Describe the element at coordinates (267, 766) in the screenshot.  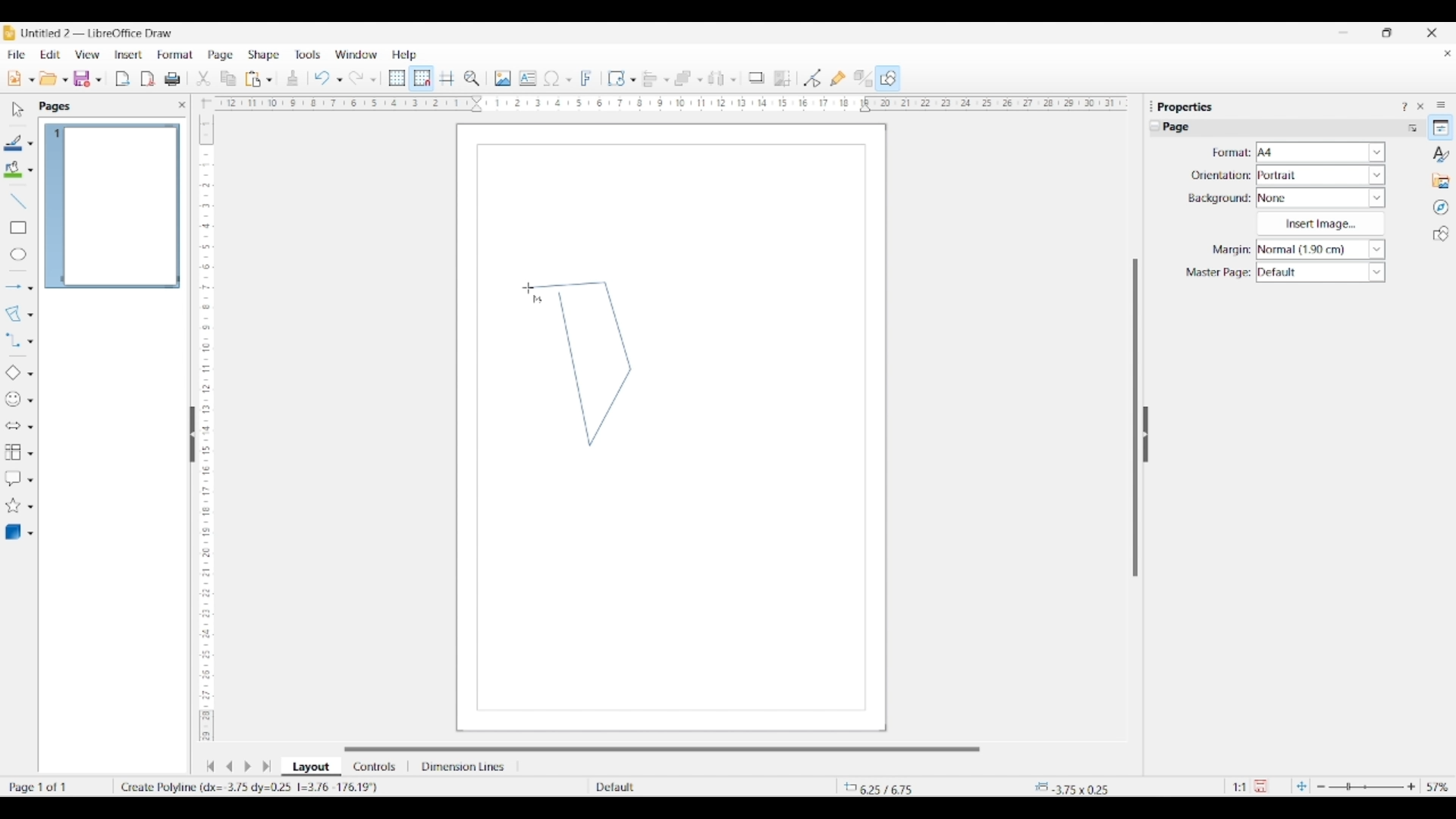
I see `Jump to the last slide` at that location.